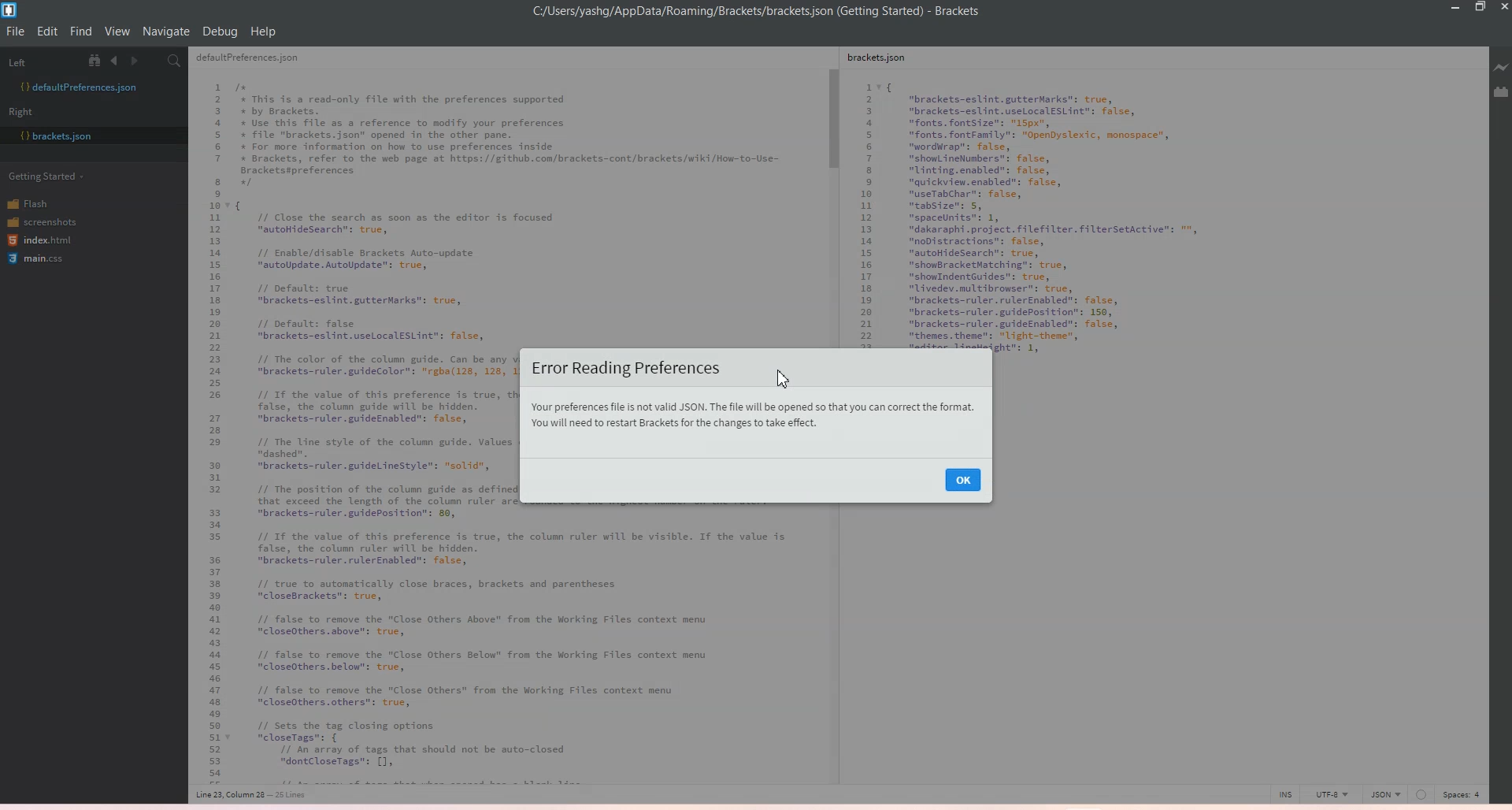  Describe the element at coordinates (1385, 793) in the screenshot. I see `JSON` at that location.